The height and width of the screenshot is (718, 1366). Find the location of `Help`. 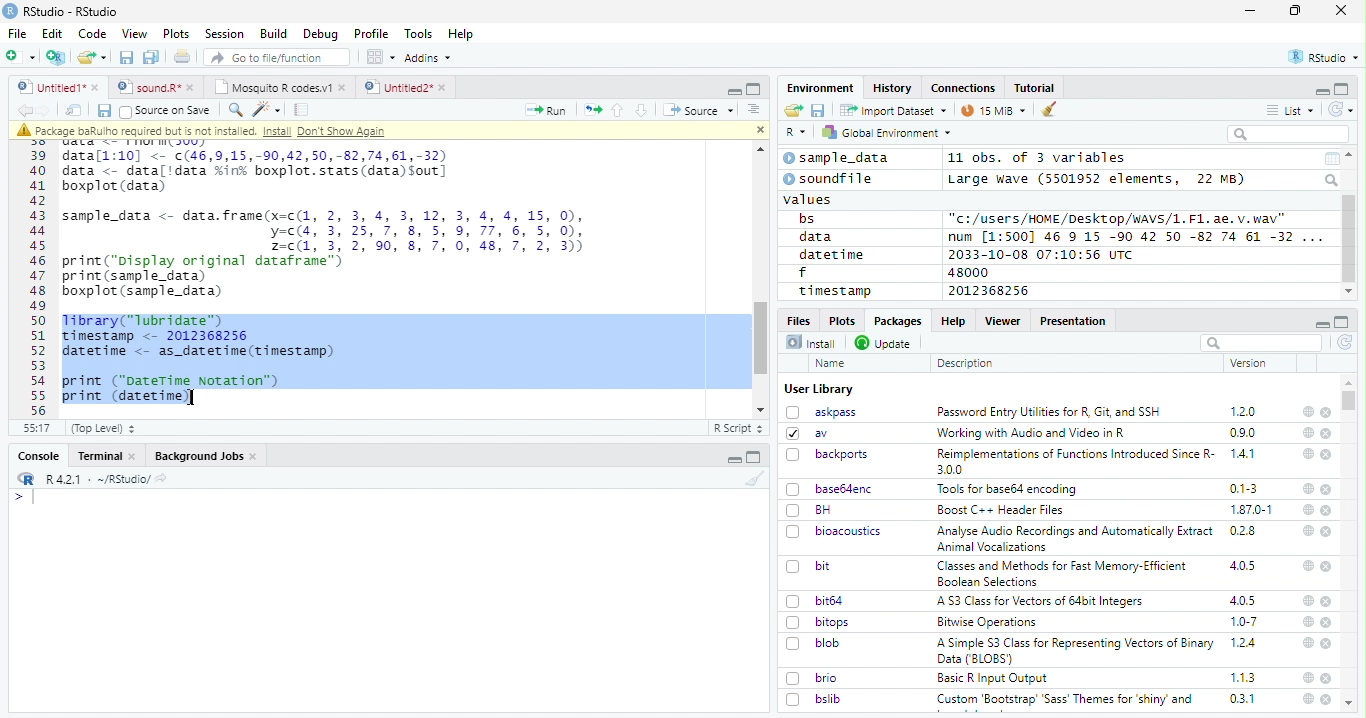

Help is located at coordinates (952, 320).